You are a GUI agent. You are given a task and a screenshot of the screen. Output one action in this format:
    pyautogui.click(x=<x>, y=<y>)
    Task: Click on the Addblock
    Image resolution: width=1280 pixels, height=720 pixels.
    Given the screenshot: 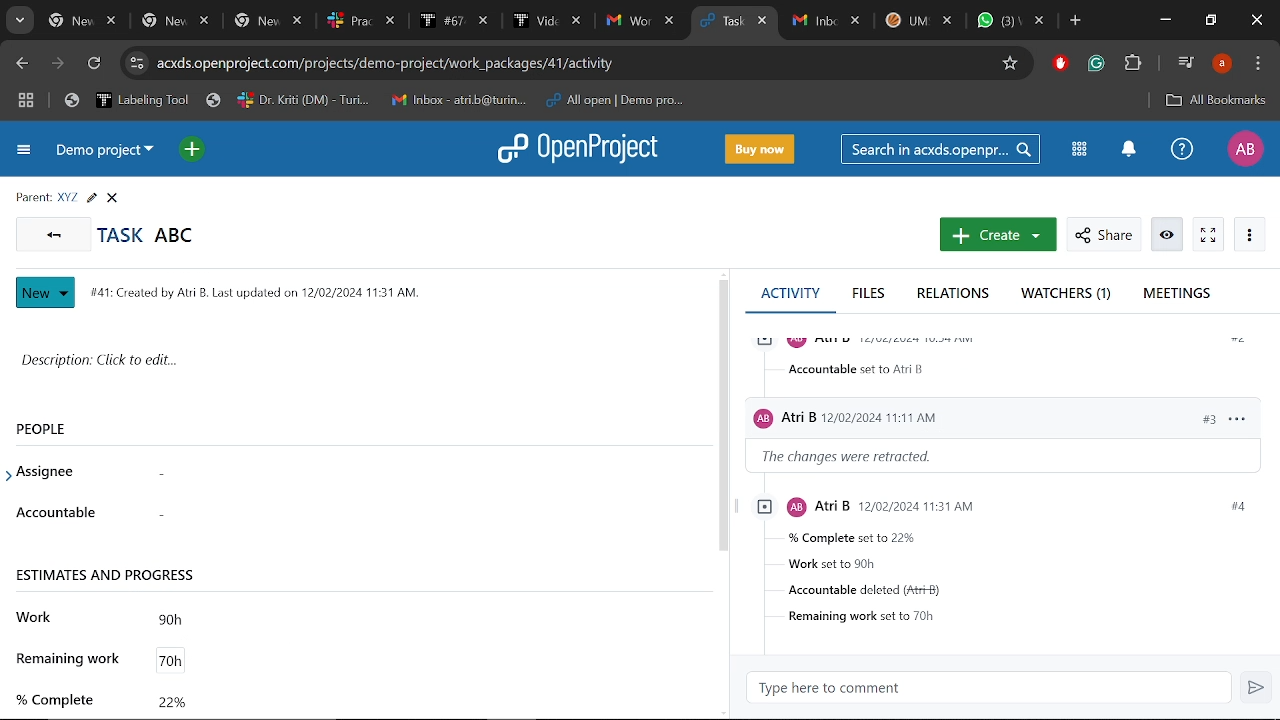 What is the action you would take?
    pyautogui.click(x=1061, y=64)
    